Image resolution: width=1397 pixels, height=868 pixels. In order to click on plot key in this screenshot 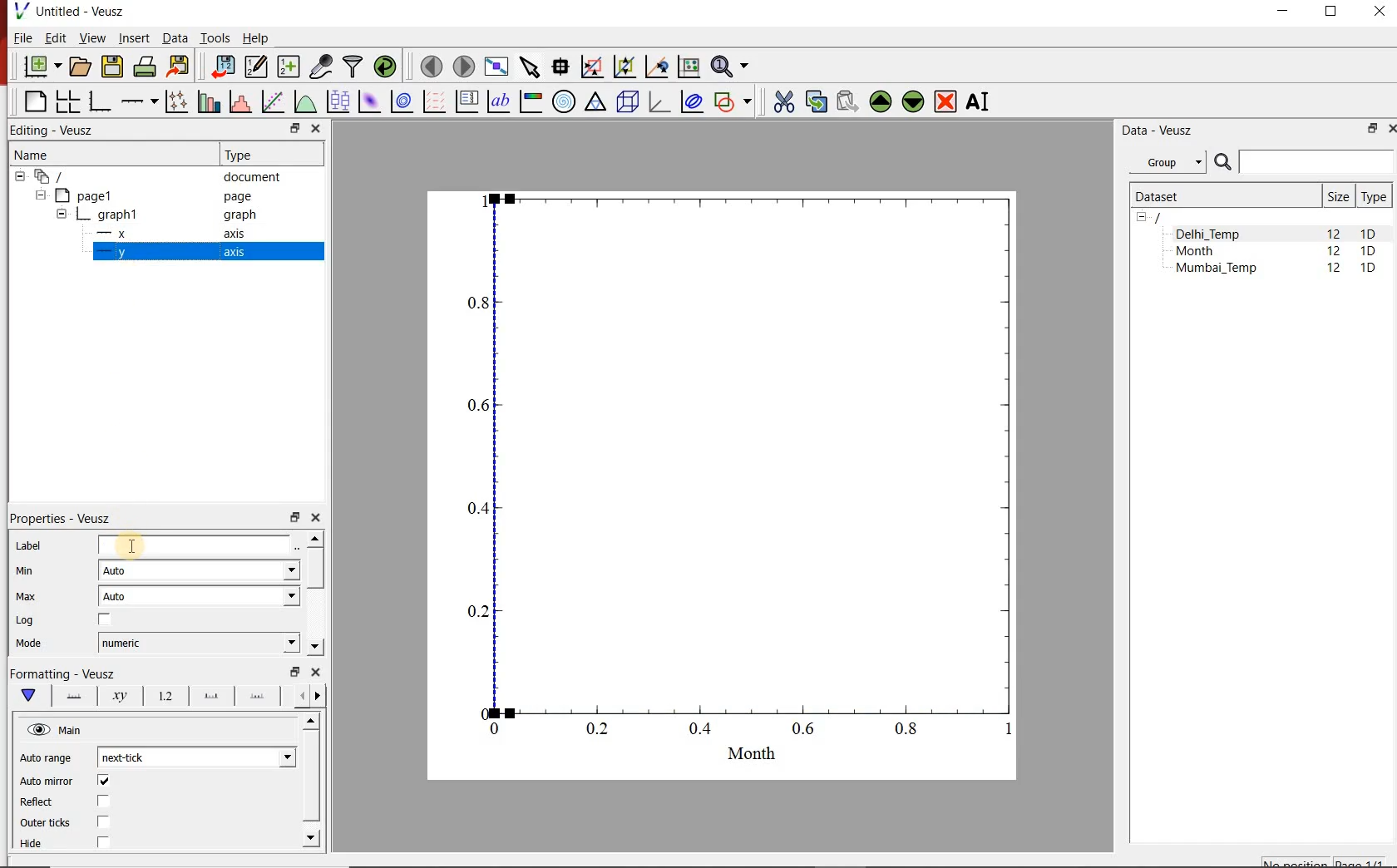, I will do `click(466, 102)`.